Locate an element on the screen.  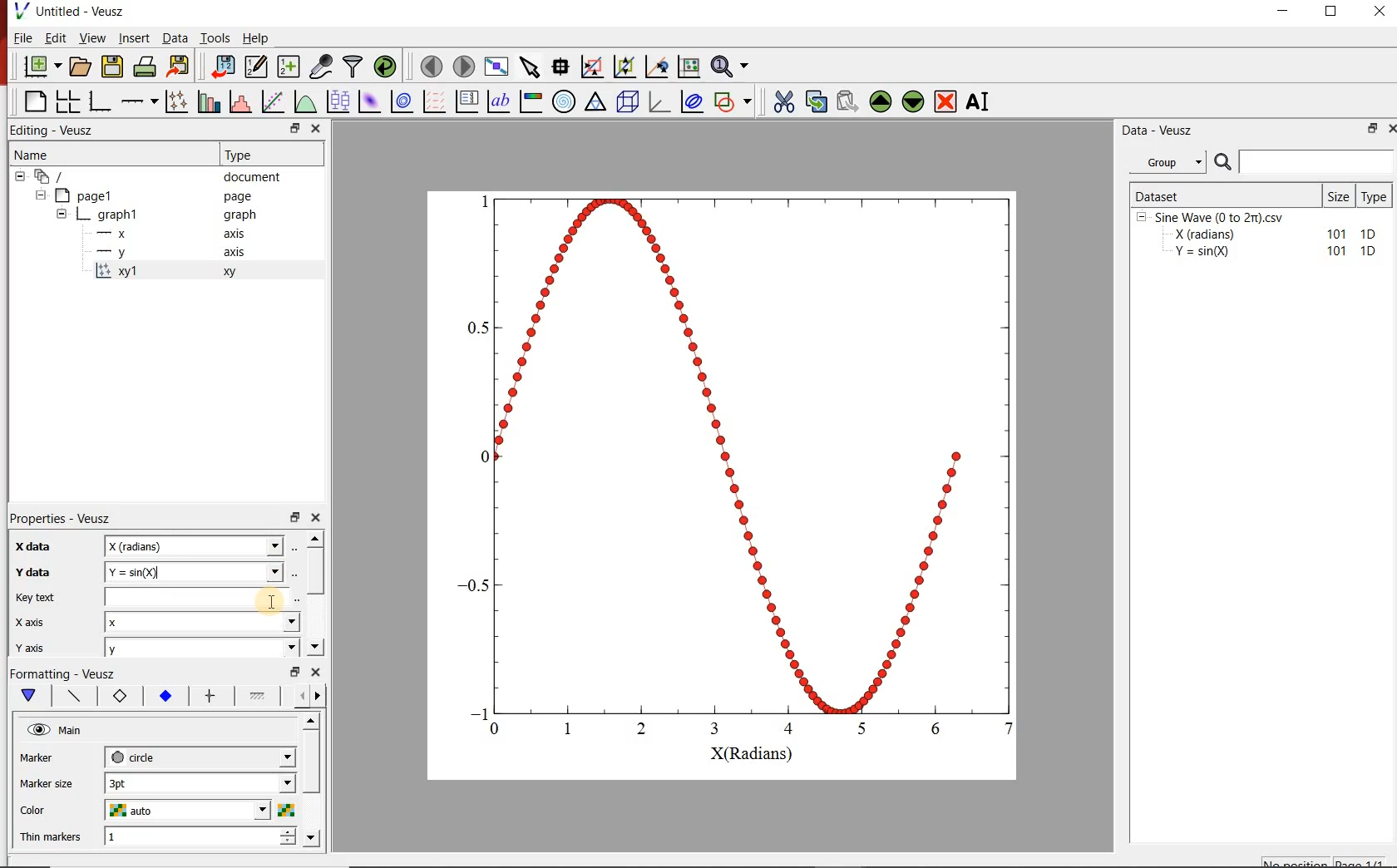
options is located at coordinates (208, 697).